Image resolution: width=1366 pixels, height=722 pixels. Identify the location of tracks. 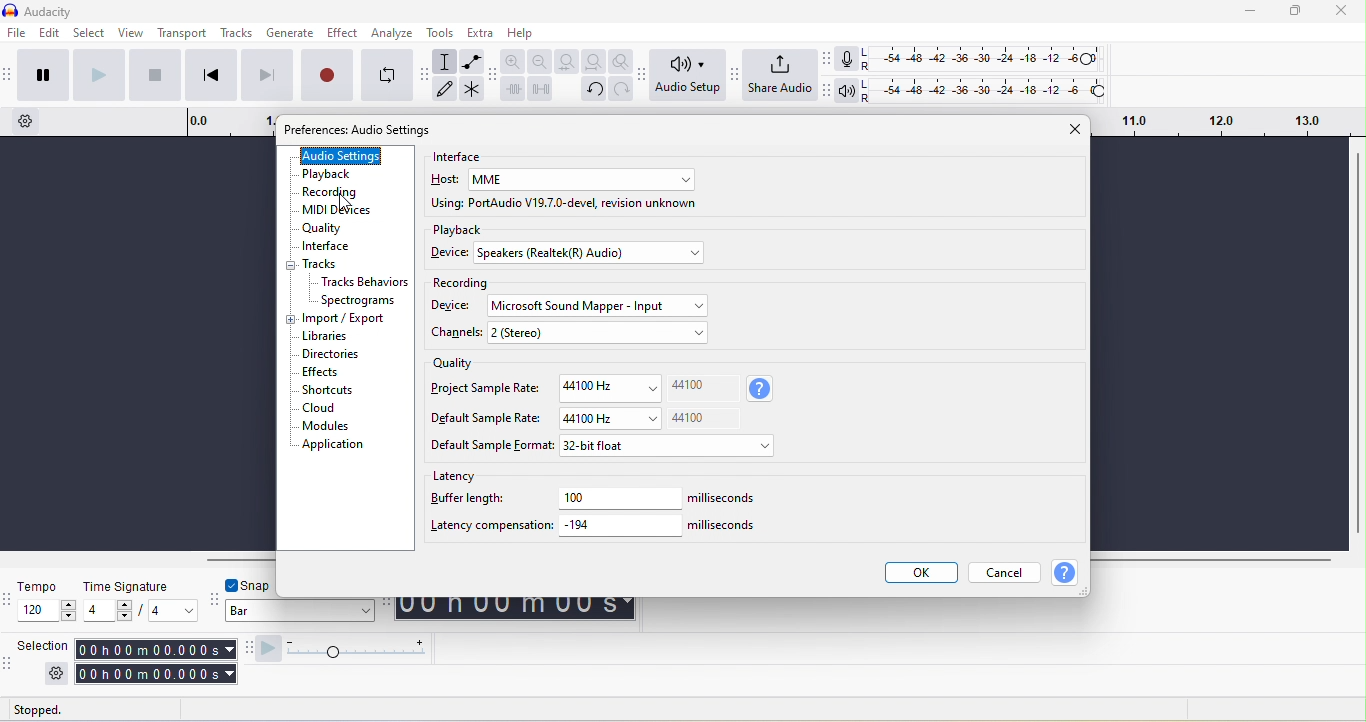
(234, 32).